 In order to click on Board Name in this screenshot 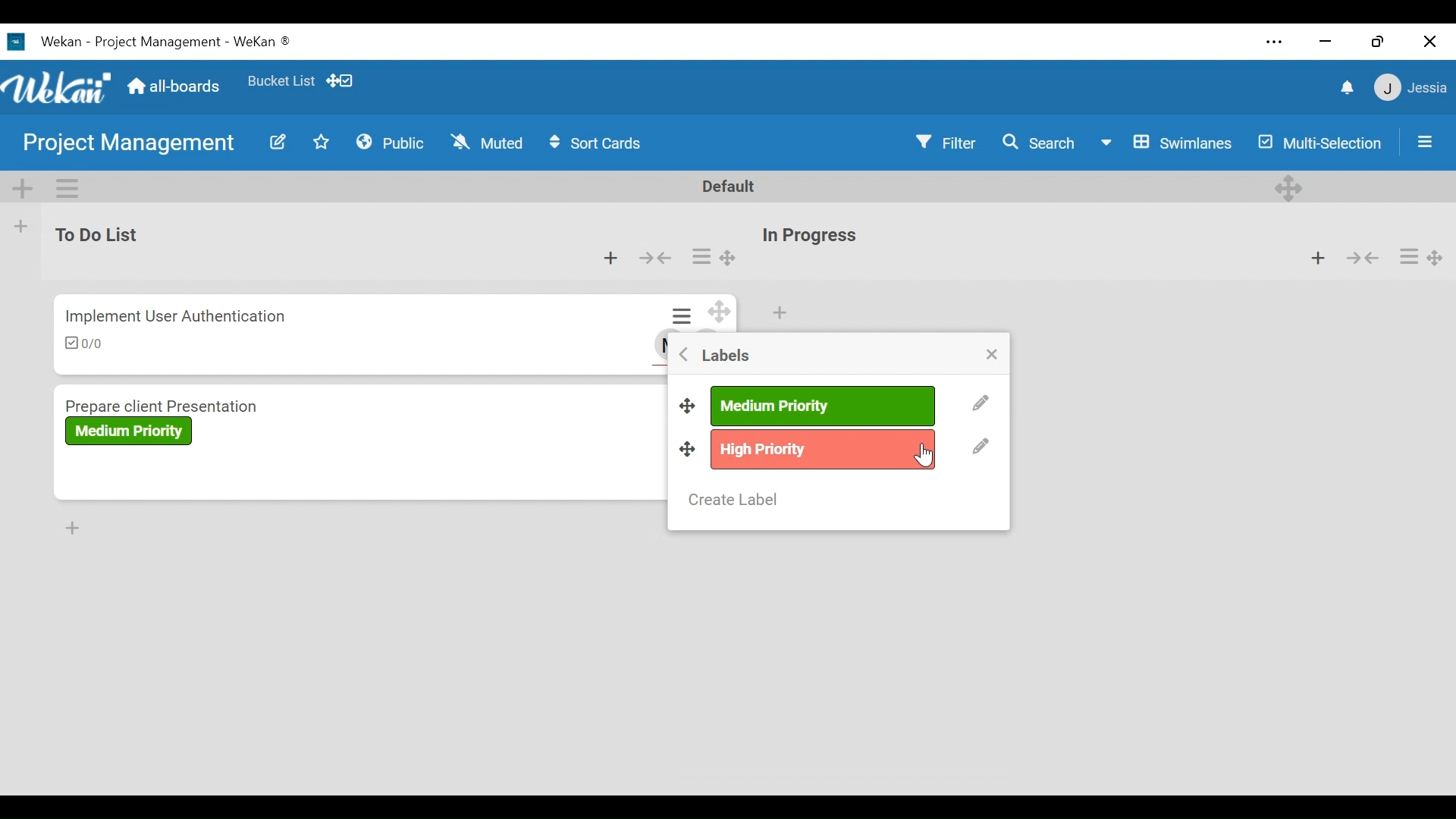, I will do `click(131, 145)`.